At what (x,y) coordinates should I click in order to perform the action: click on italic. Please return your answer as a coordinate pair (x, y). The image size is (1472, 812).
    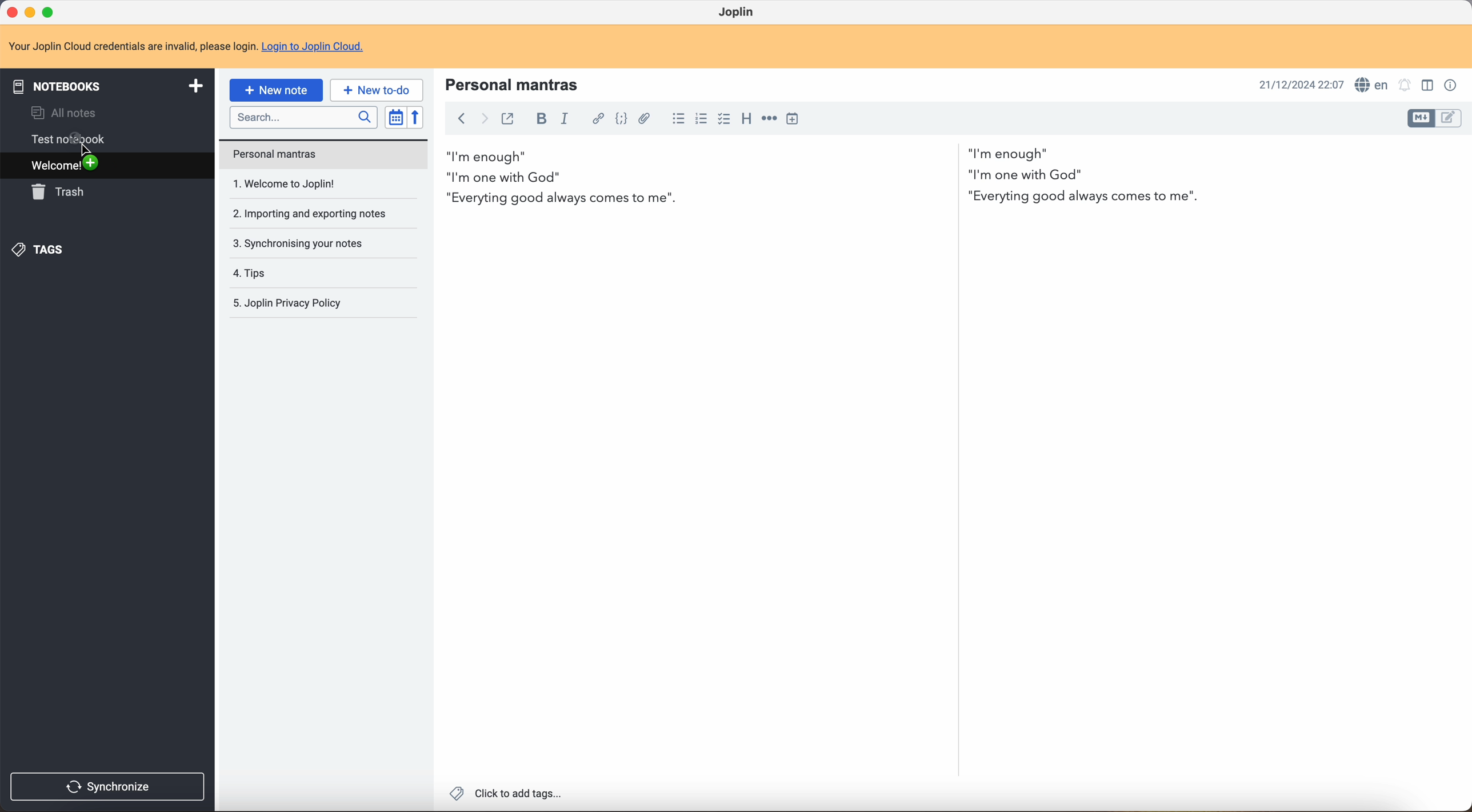
    Looking at the image, I should click on (567, 118).